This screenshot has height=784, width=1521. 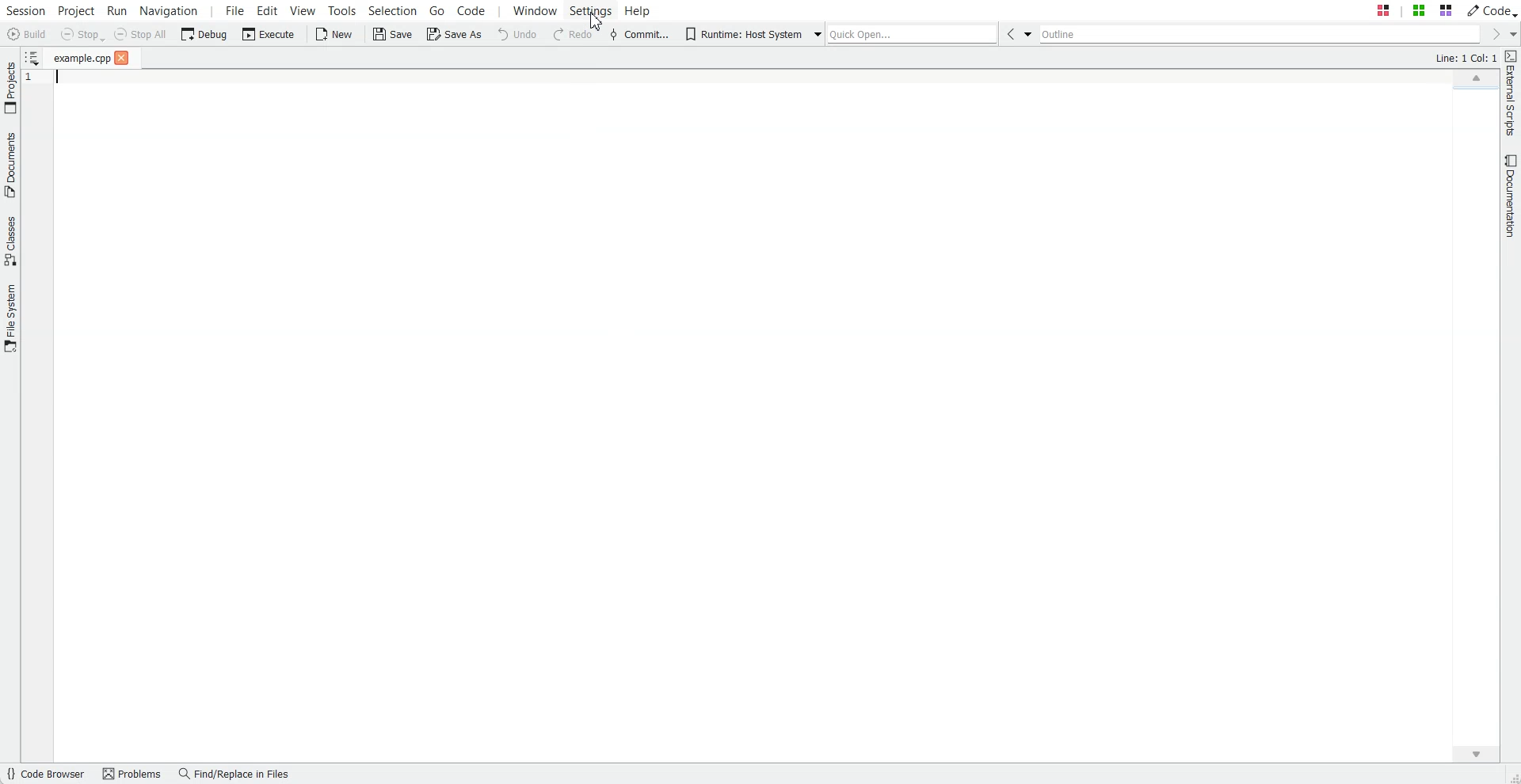 What do you see at coordinates (204, 33) in the screenshot?
I see `Debug` at bounding box center [204, 33].